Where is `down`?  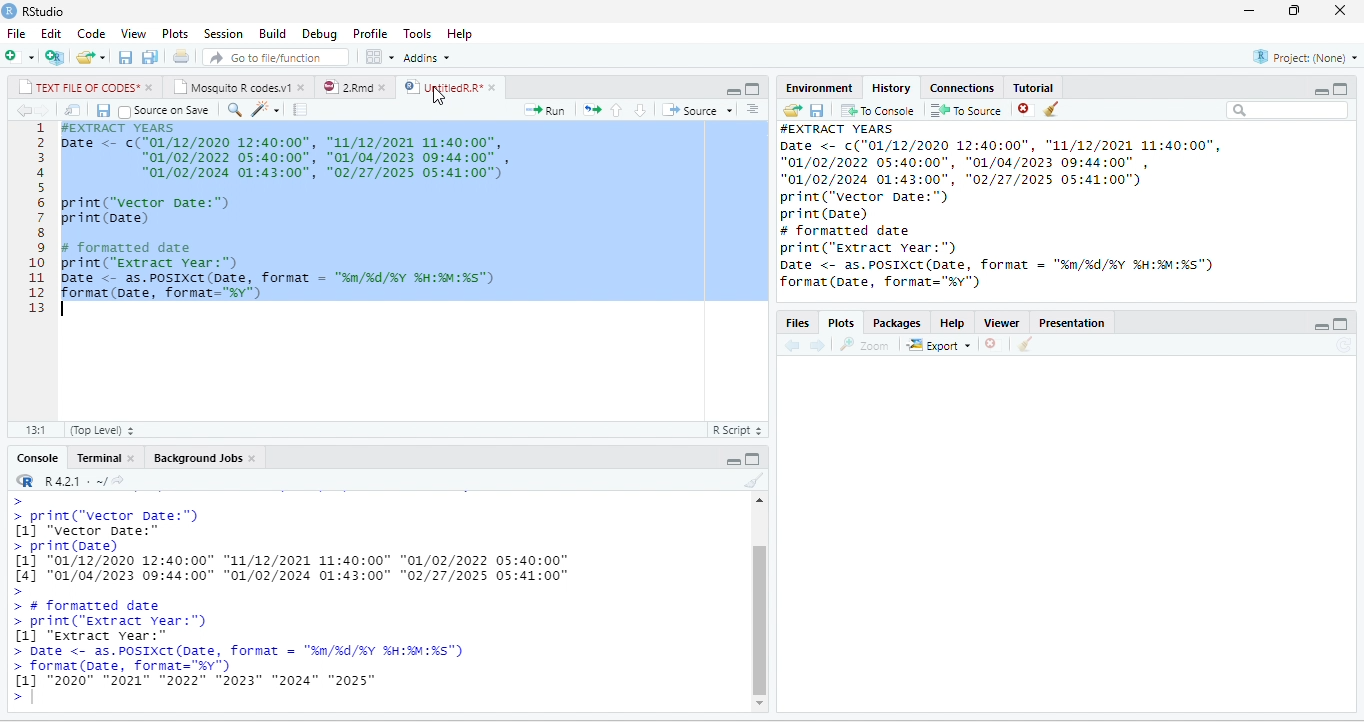
down is located at coordinates (640, 110).